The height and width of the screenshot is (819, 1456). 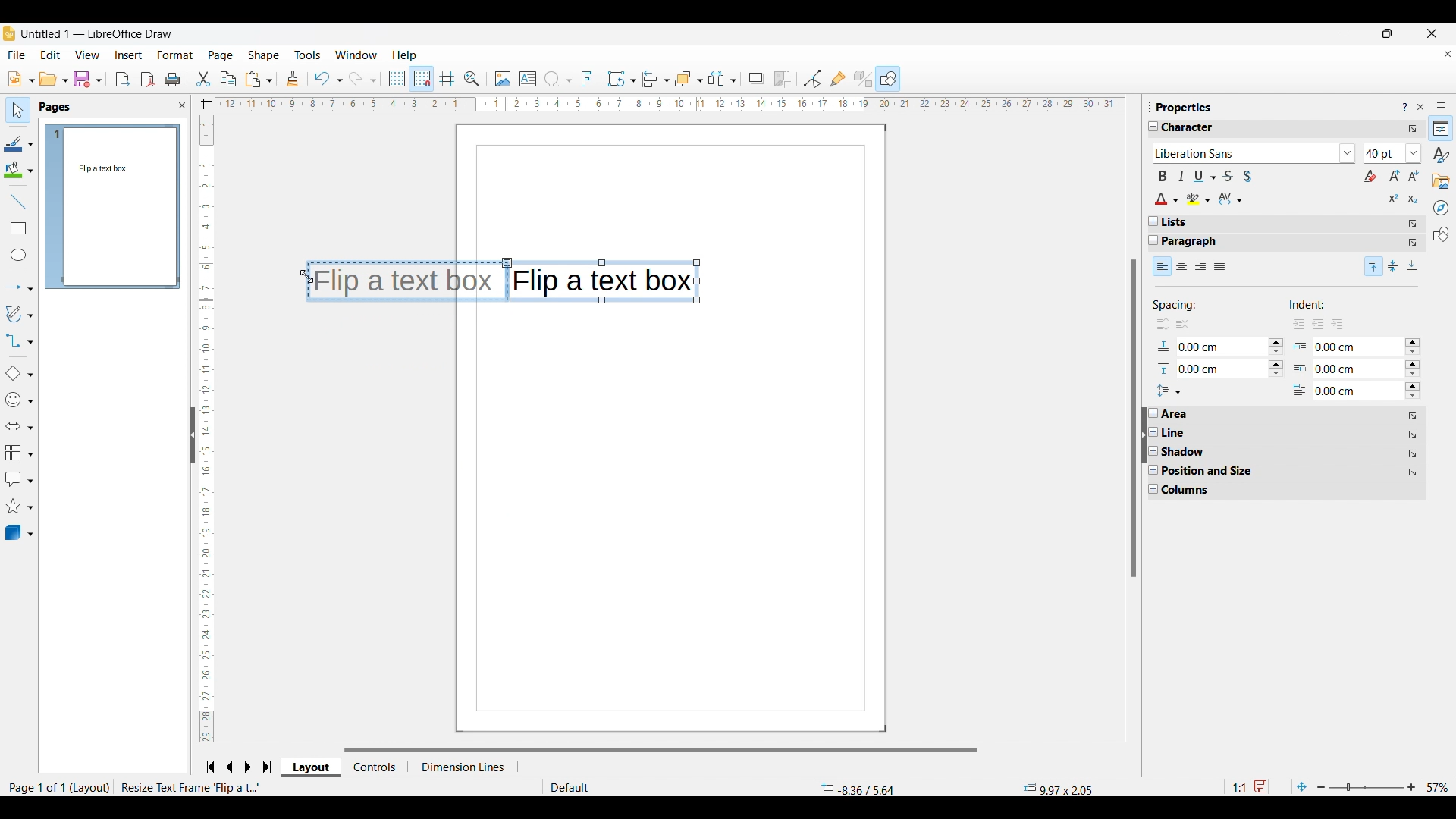 What do you see at coordinates (56, 108) in the screenshot?
I see `pages` at bounding box center [56, 108].